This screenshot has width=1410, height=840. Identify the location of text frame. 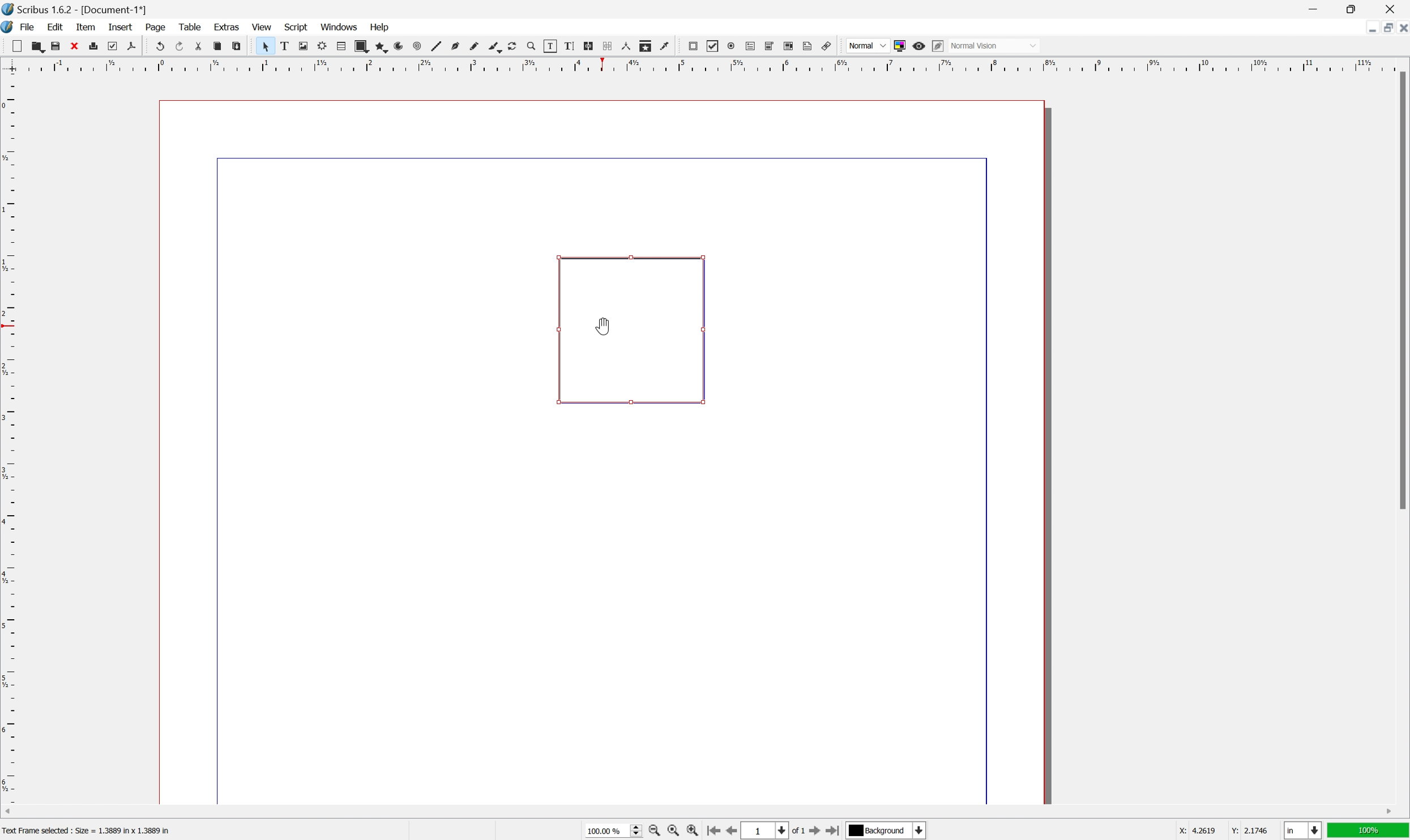
(284, 46).